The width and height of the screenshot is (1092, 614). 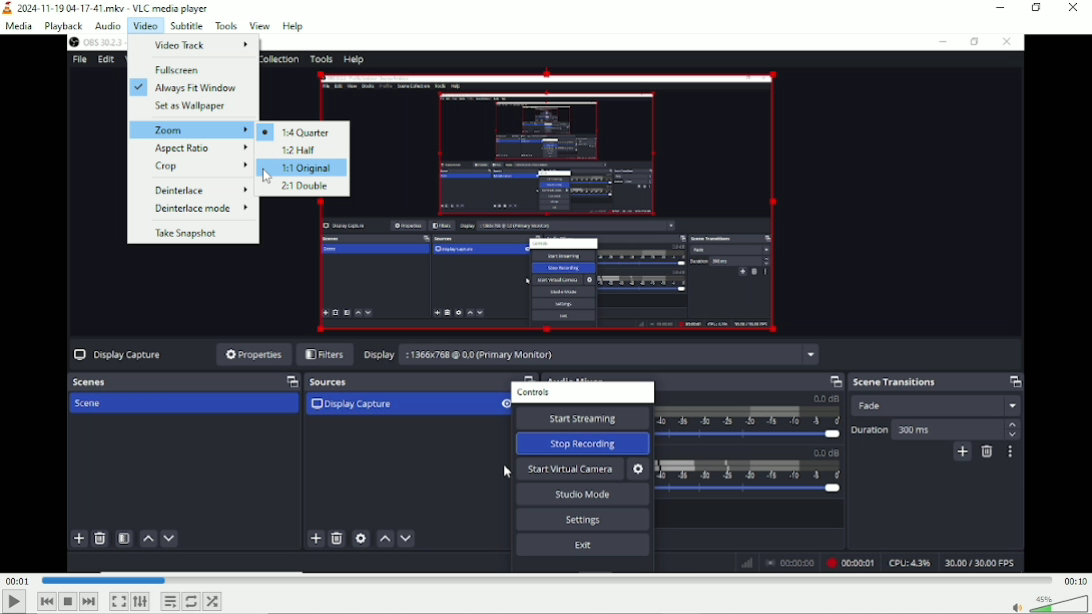 I want to click on original, so click(x=303, y=168).